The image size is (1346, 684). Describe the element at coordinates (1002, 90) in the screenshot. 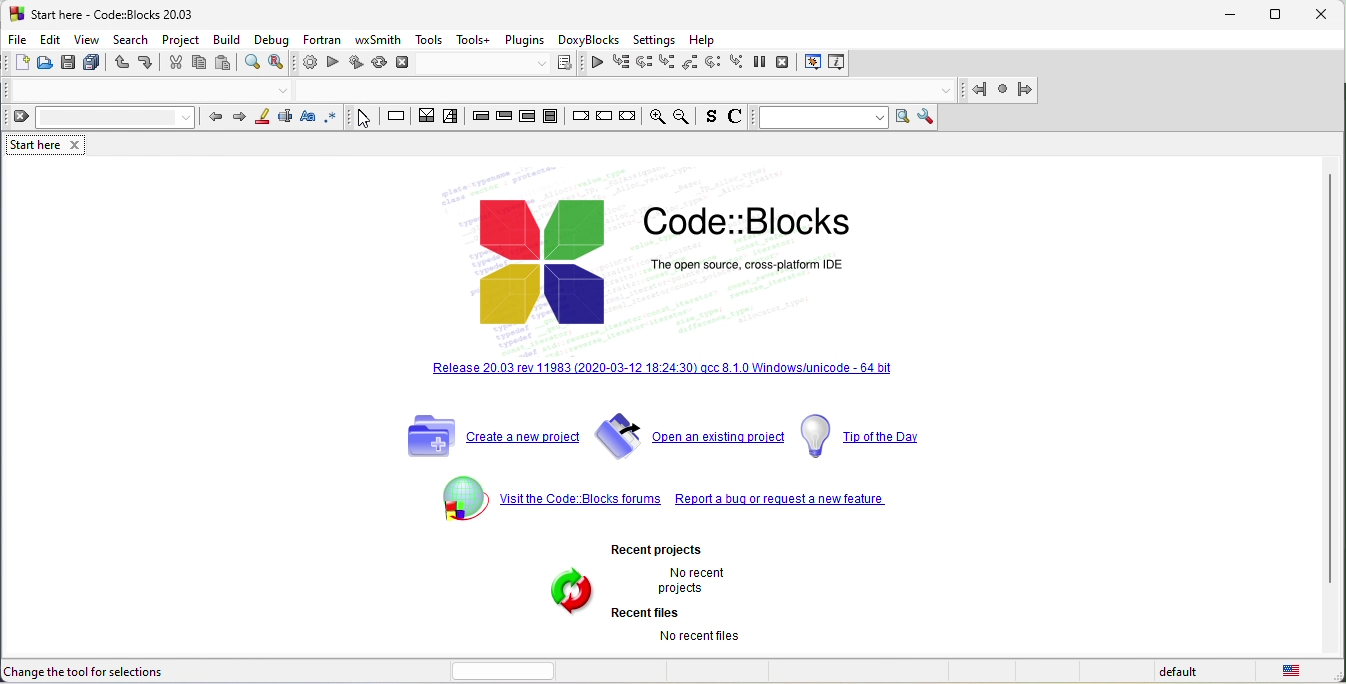

I see `last jamp` at that location.